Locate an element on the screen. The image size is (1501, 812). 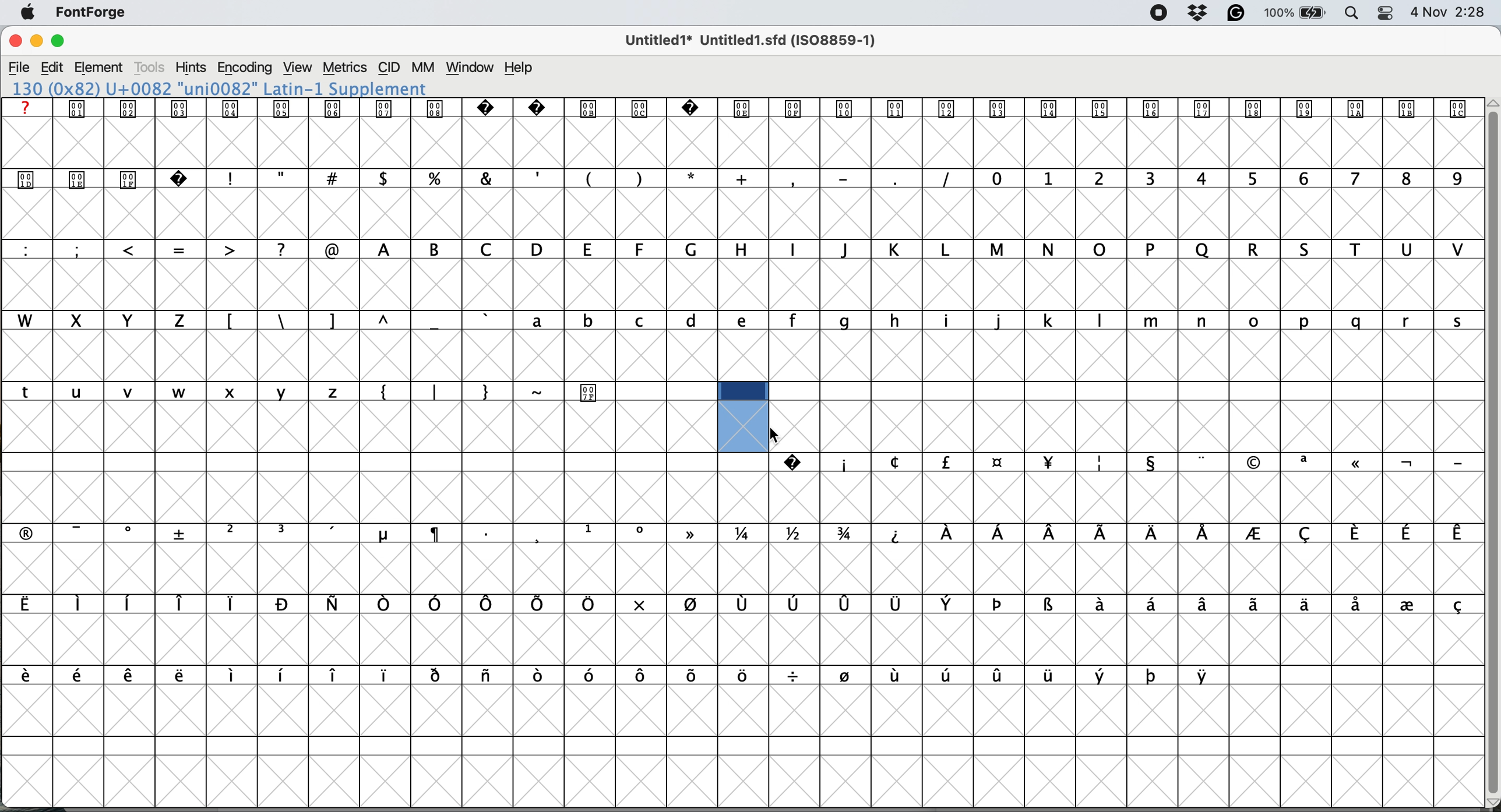
minimise is located at coordinates (36, 41).